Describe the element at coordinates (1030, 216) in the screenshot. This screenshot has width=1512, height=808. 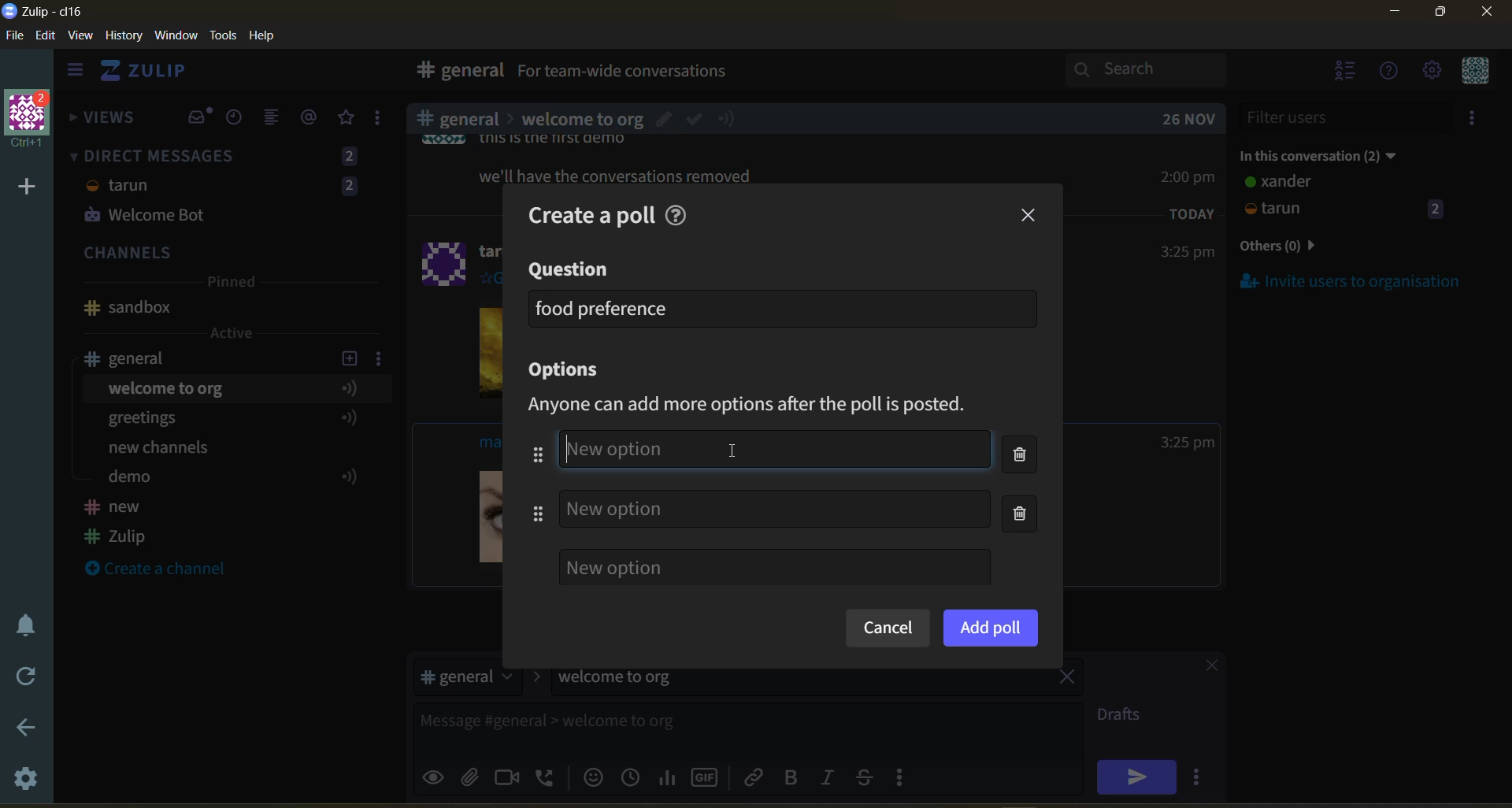
I see `close` at that location.